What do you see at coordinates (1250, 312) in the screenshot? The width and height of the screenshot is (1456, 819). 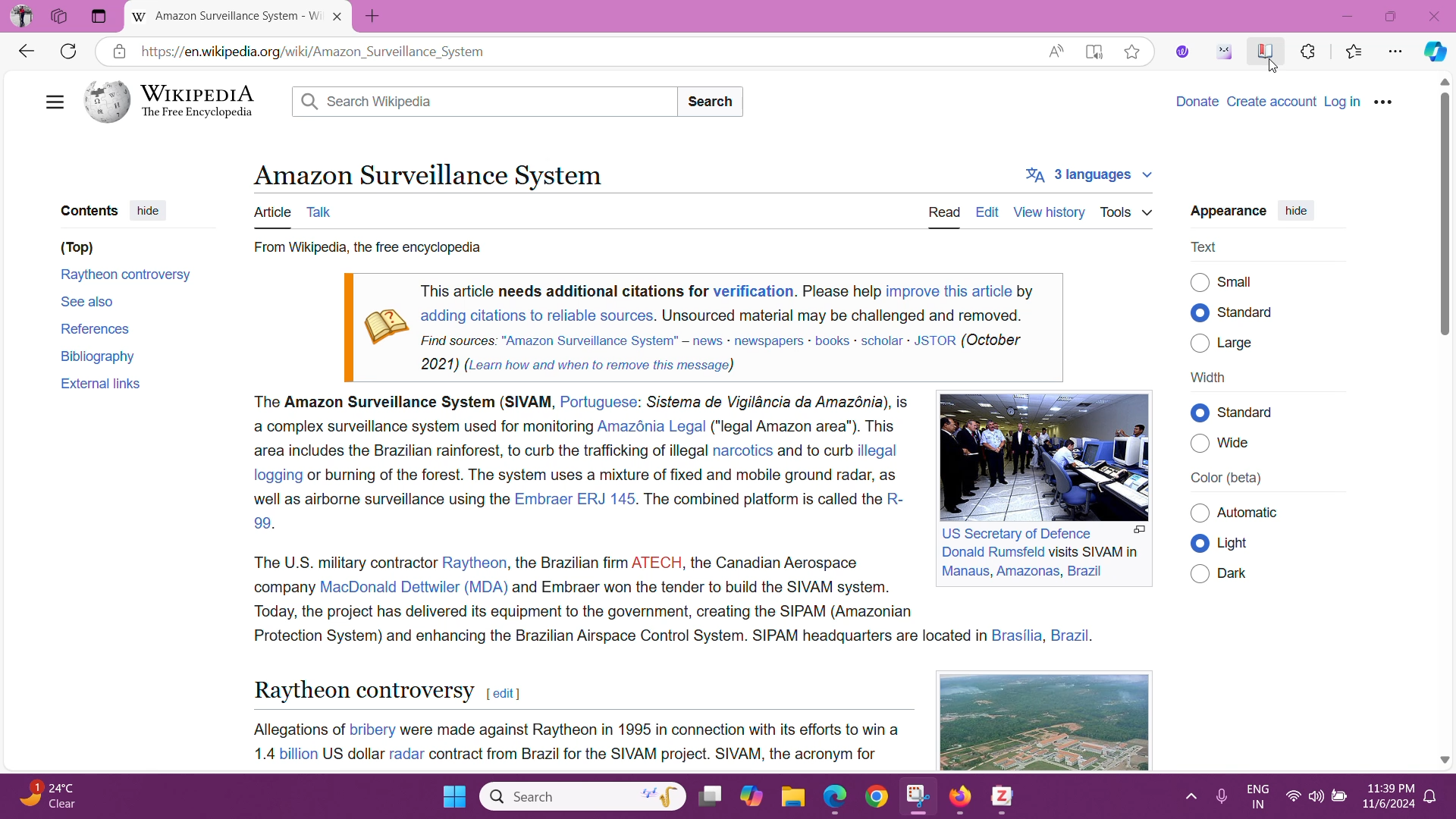 I see `© standard` at bounding box center [1250, 312].